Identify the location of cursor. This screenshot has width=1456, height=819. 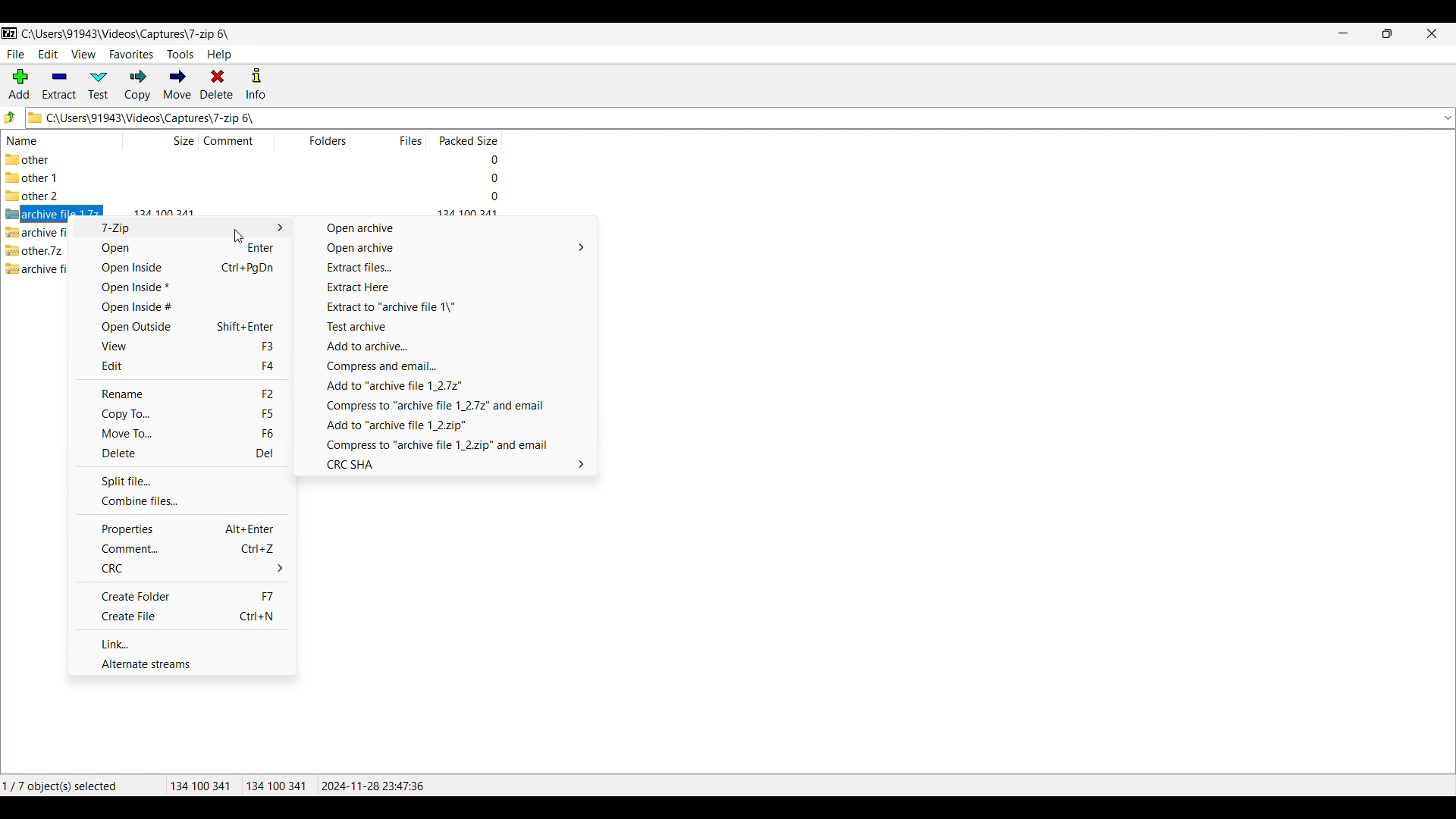
(240, 238).